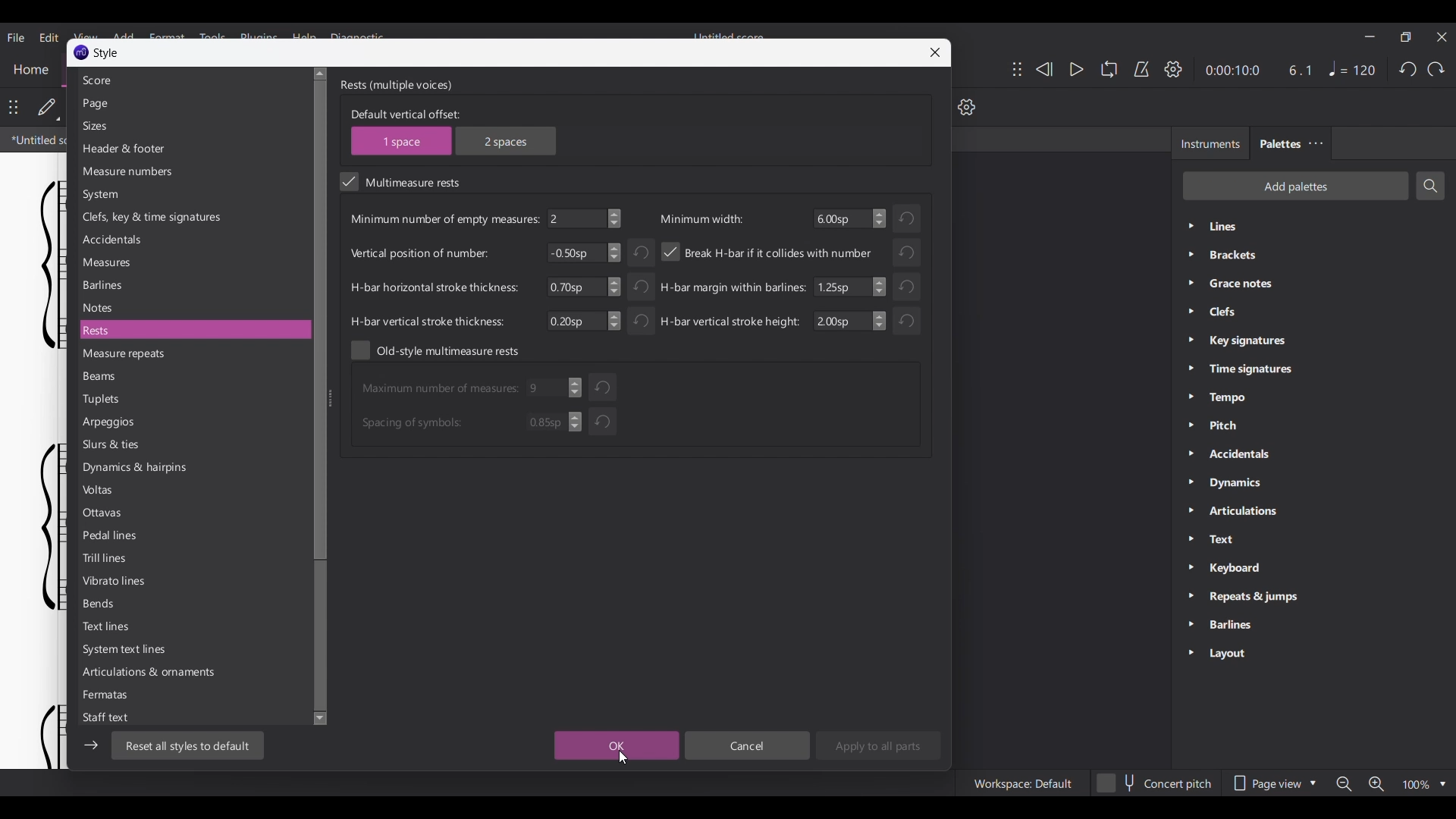 This screenshot has height=819, width=1456. What do you see at coordinates (1417, 785) in the screenshot?
I see `Current zoom factor` at bounding box center [1417, 785].